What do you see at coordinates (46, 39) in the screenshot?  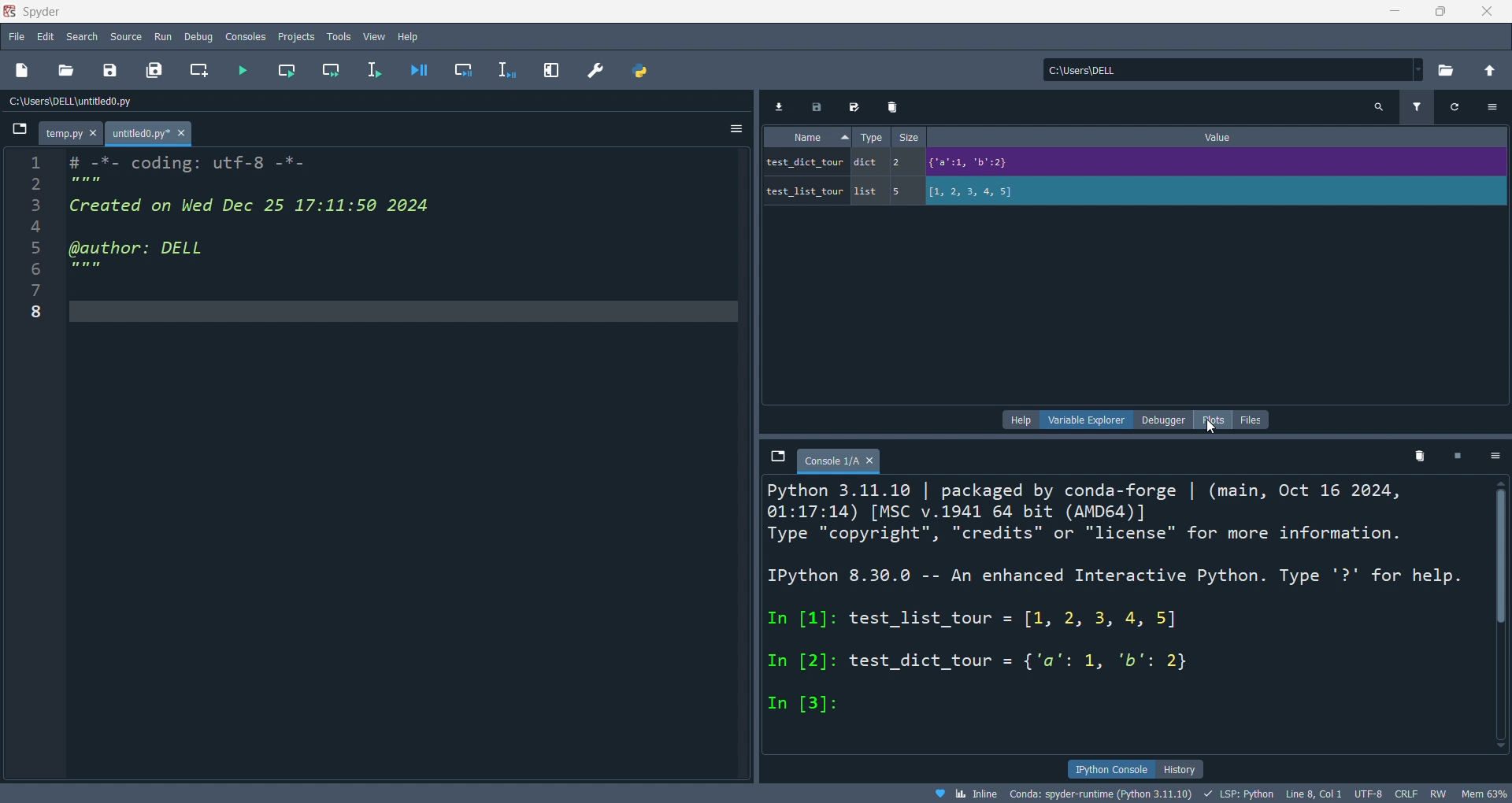 I see `edit` at bounding box center [46, 39].